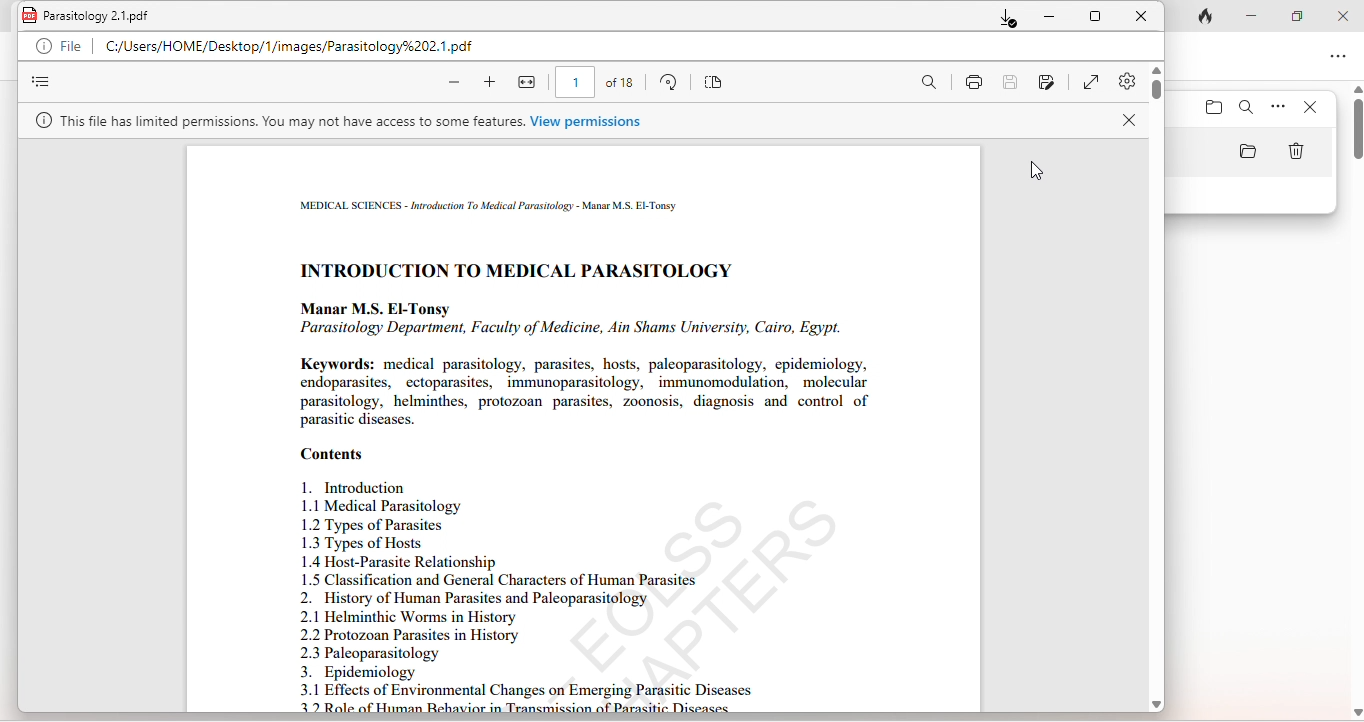  Describe the element at coordinates (1090, 84) in the screenshot. I see `expand` at that location.